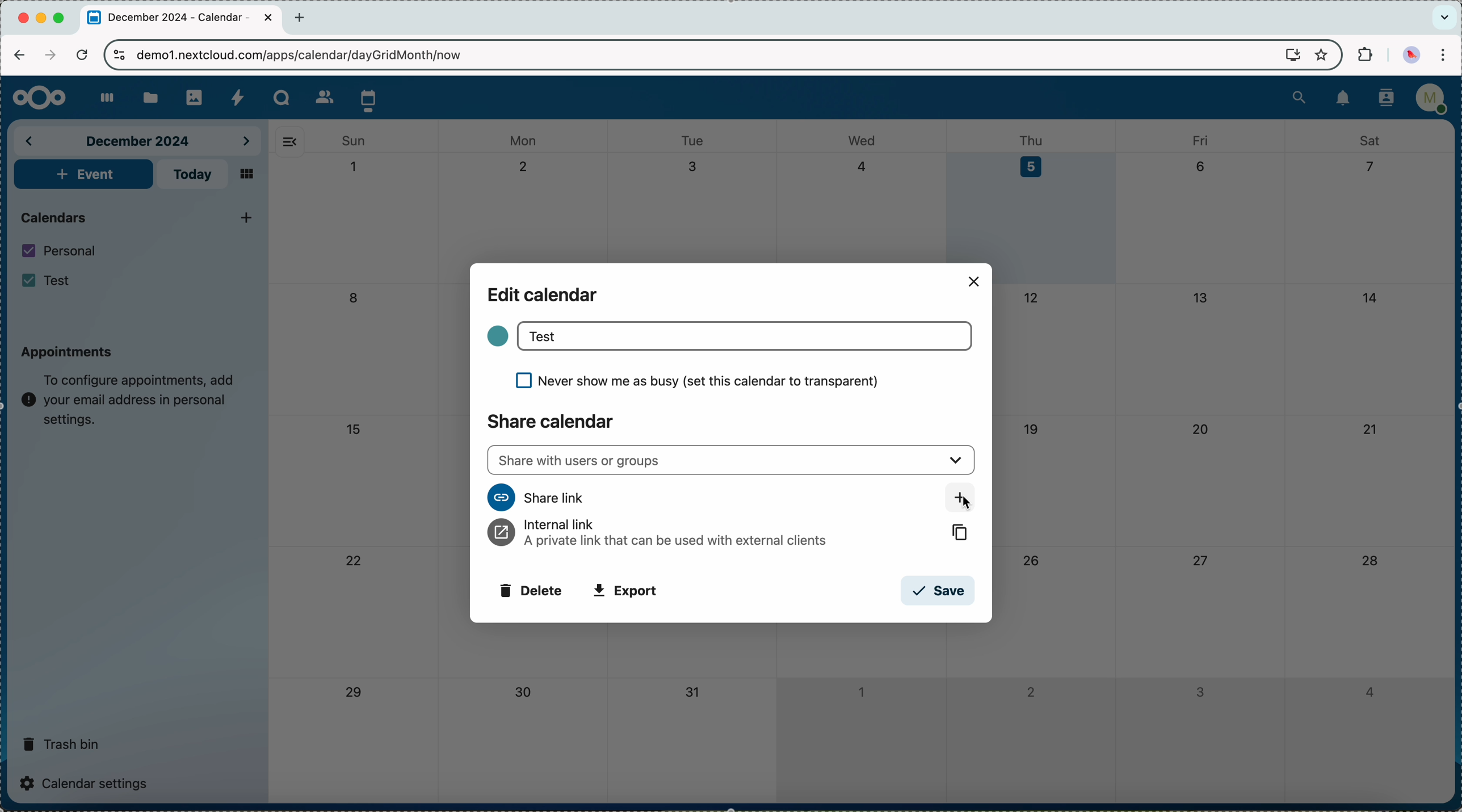  What do you see at coordinates (1383, 99) in the screenshot?
I see `contacts` at bounding box center [1383, 99].